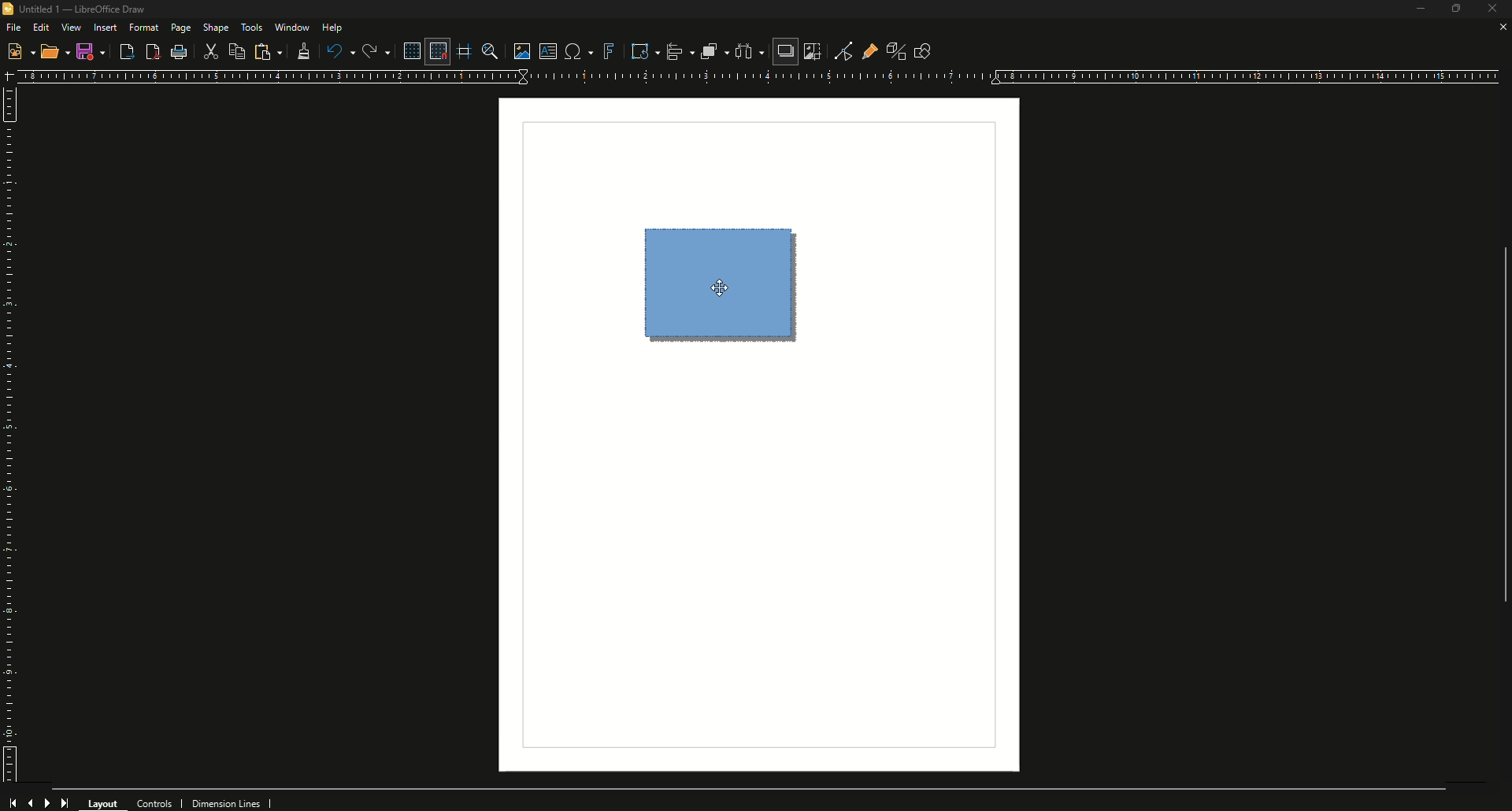 This screenshot has height=811, width=1512. What do you see at coordinates (674, 51) in the screenshot?
I see `Align Objects` at bounding box center [674, 51].